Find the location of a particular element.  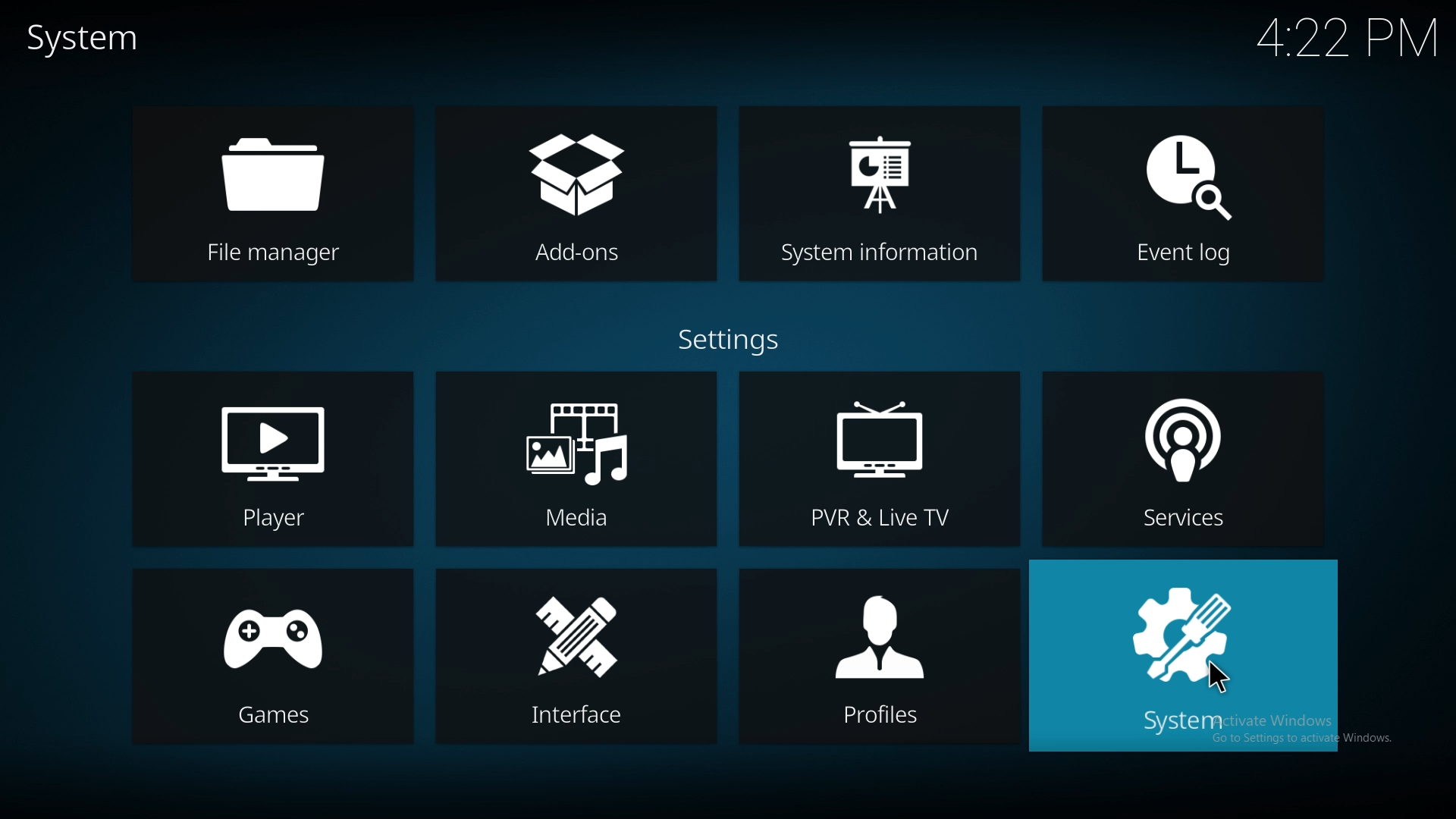

games is located at coordinates (269, 657).